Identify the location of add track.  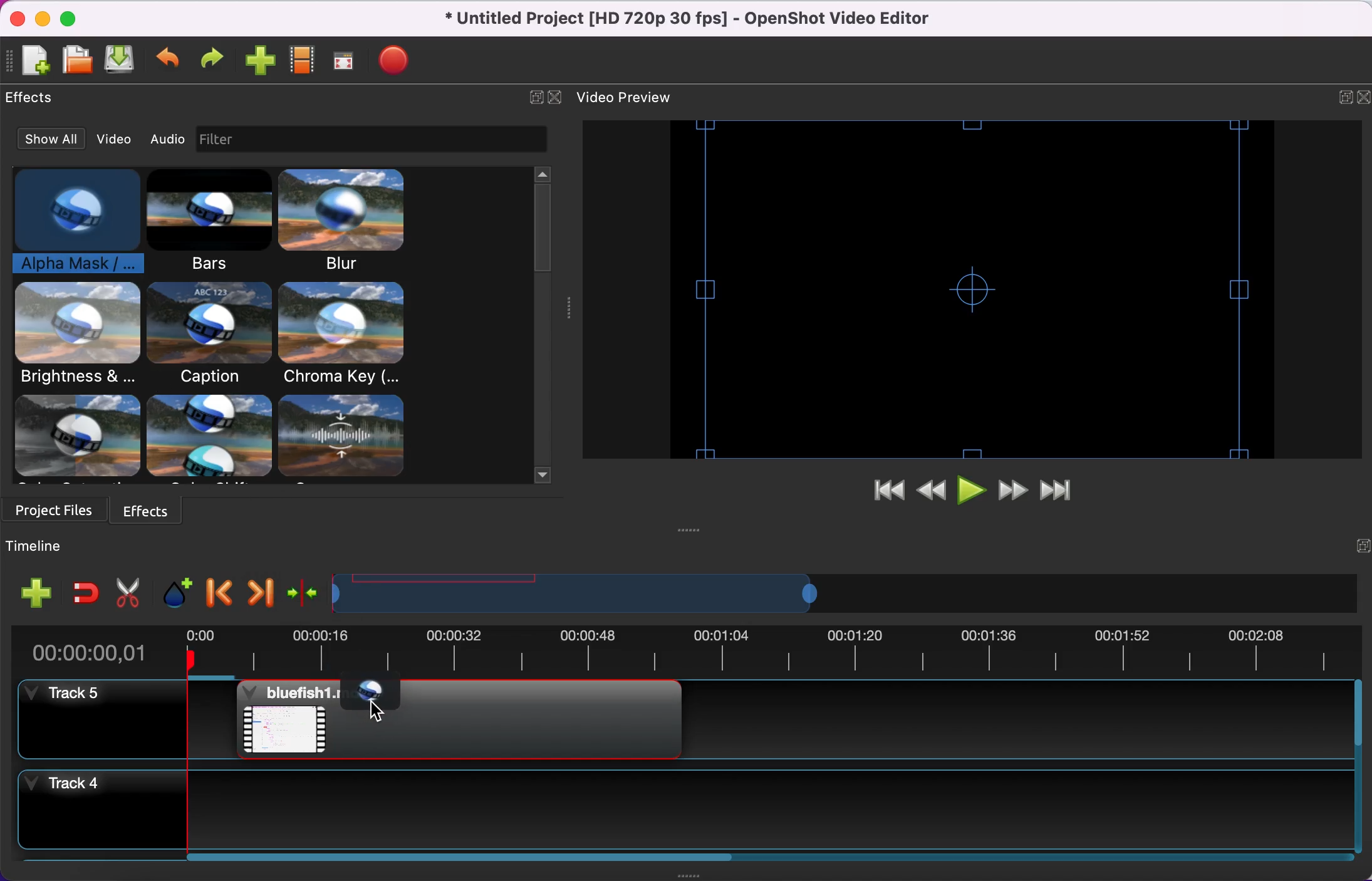
(33, 595).